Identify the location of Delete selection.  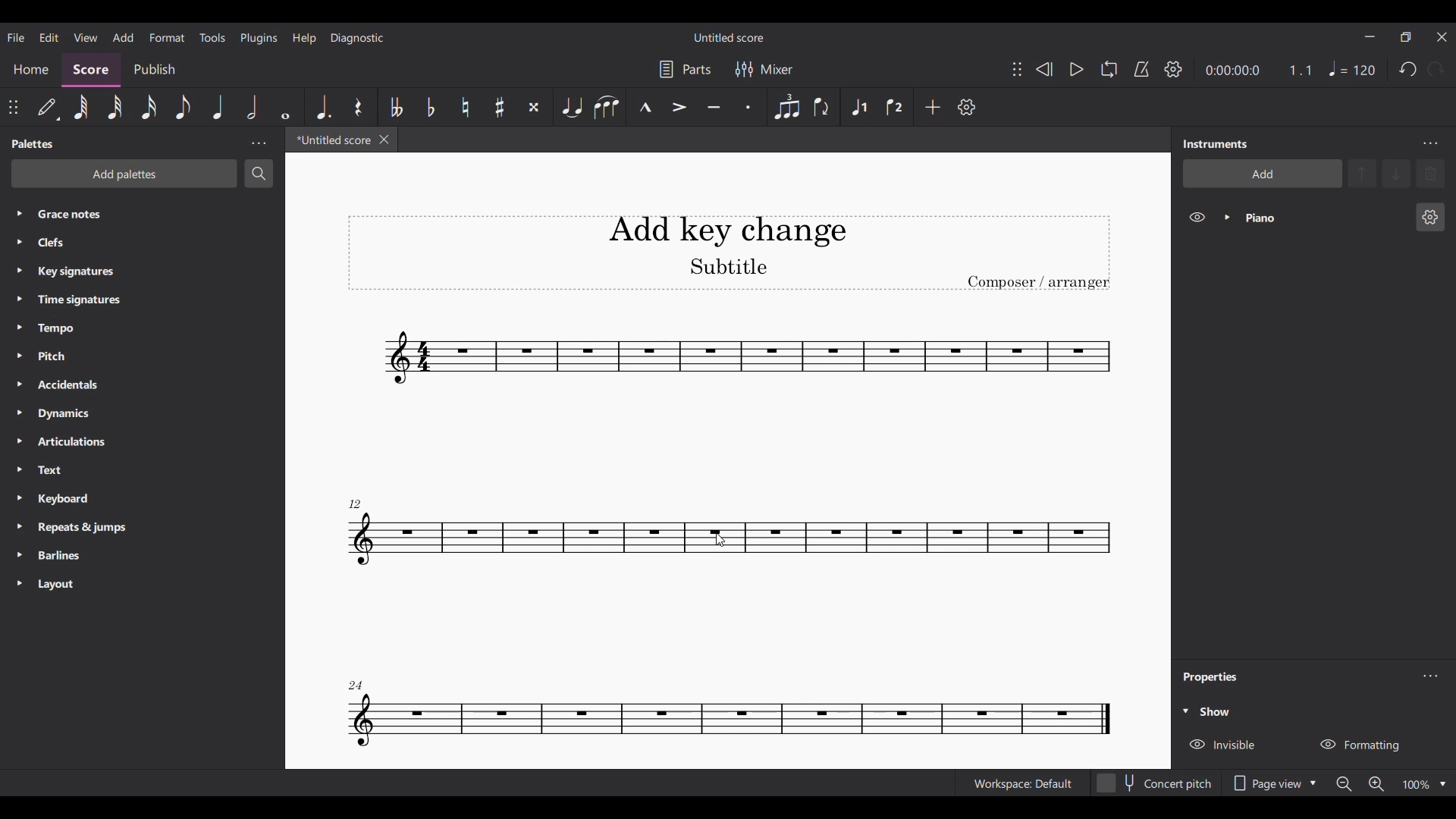
(1430, 174).